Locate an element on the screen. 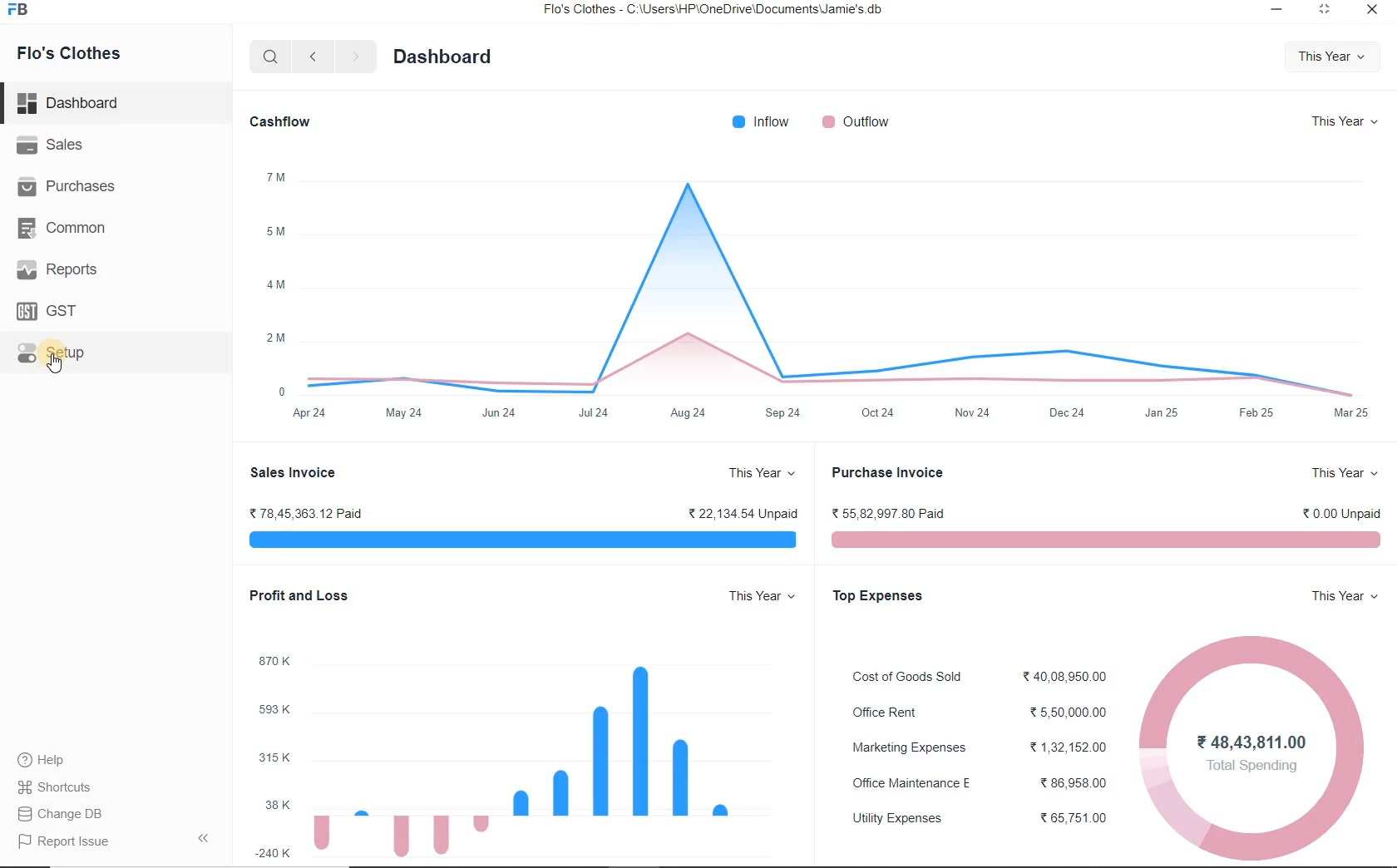 This screenshot has height=868, width=1397. GST is located at coordinates (46, 312).